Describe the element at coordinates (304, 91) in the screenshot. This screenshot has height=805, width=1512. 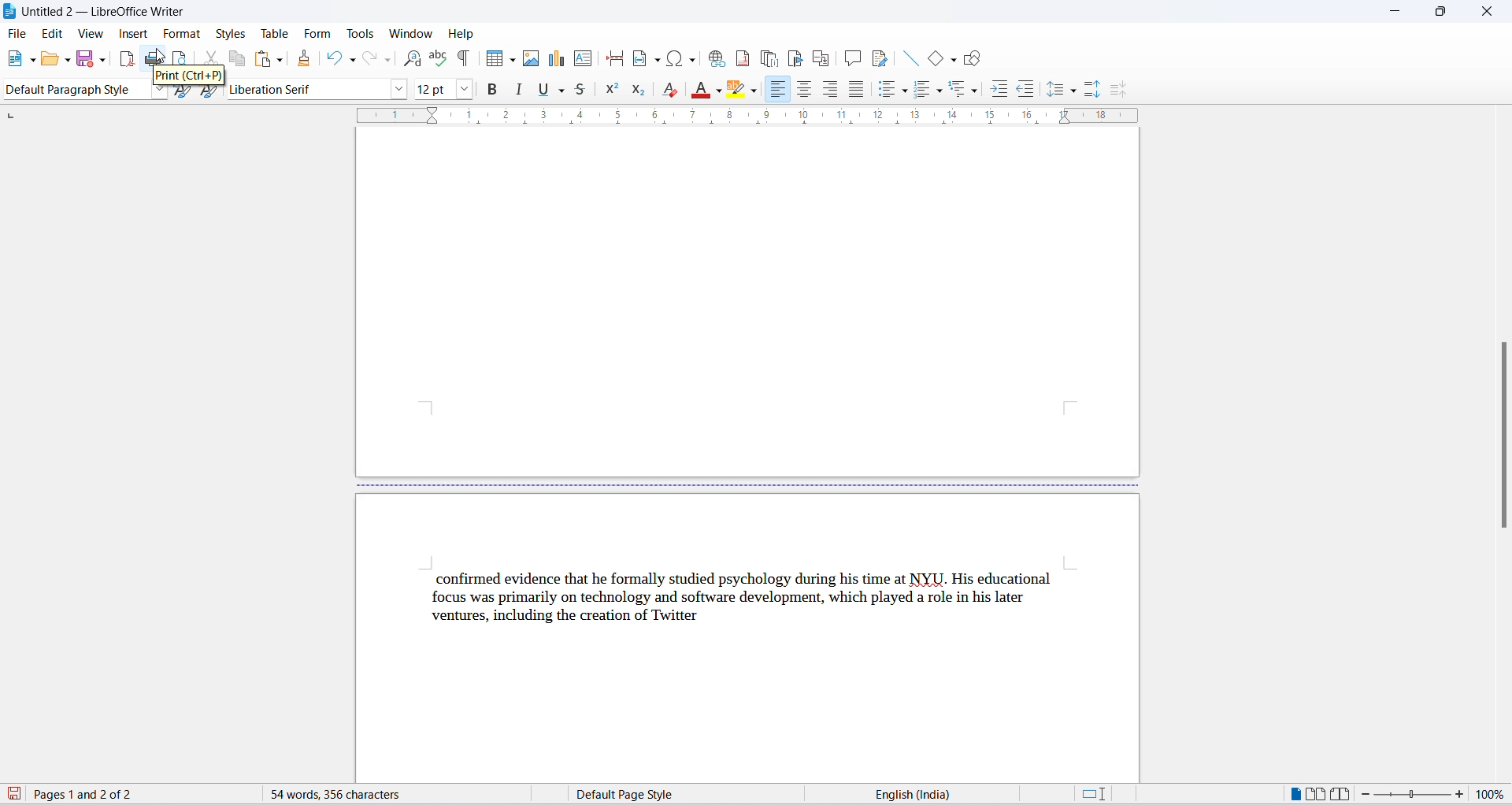
I see `liberation serif` at that location.